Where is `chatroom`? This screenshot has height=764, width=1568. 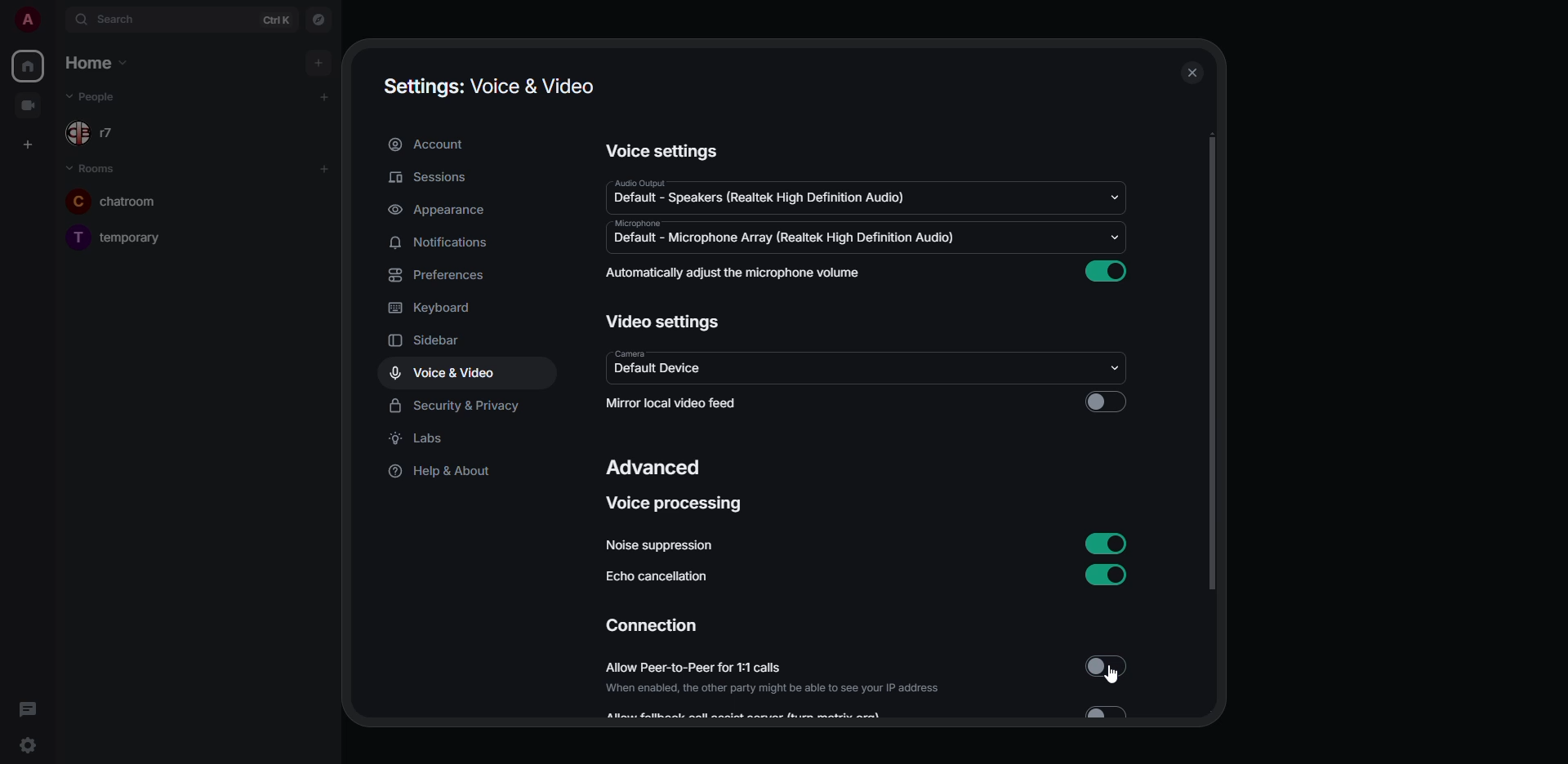 chatroom is located at coordinates (128, 201).